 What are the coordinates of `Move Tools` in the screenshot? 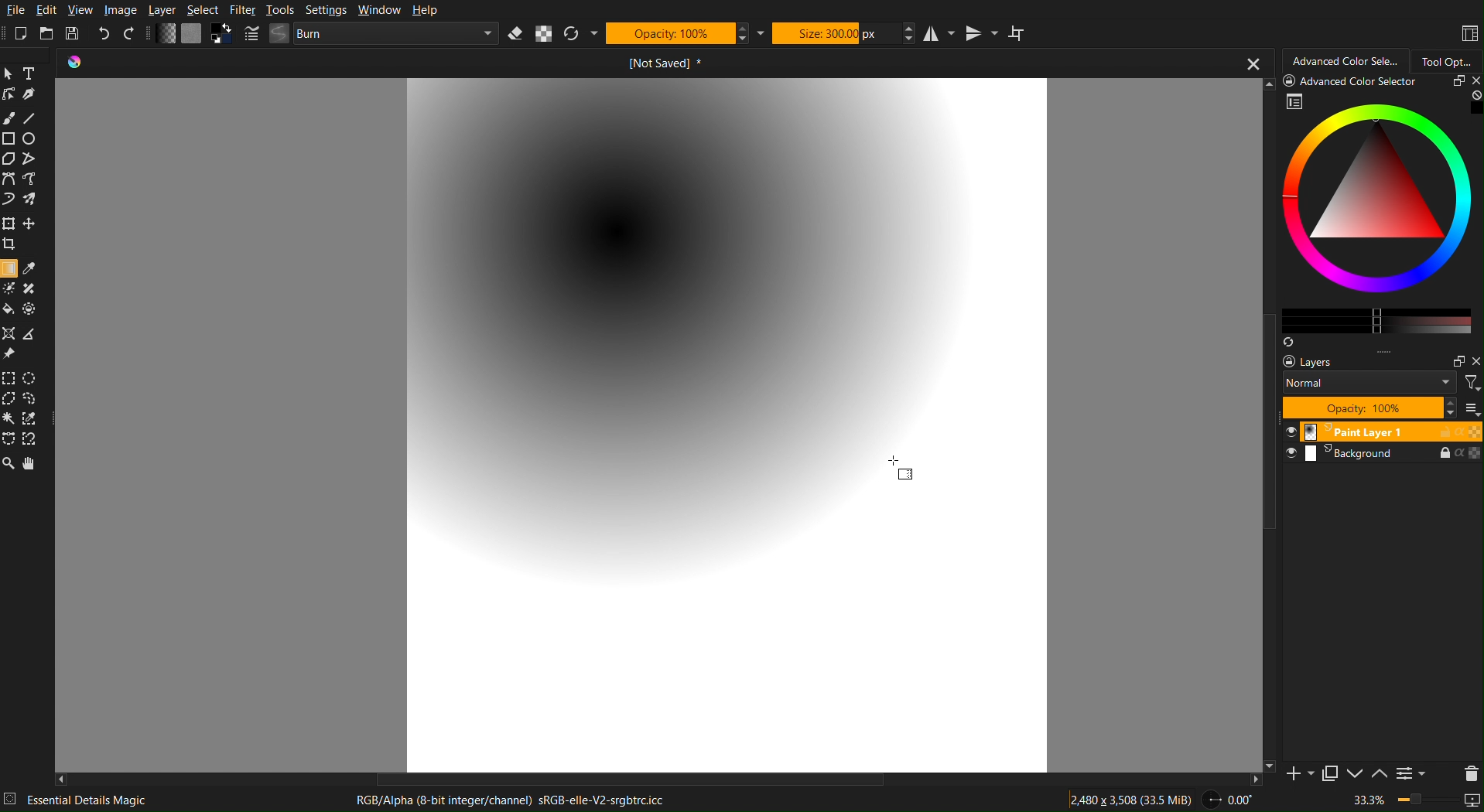 It's located at (23, 232).